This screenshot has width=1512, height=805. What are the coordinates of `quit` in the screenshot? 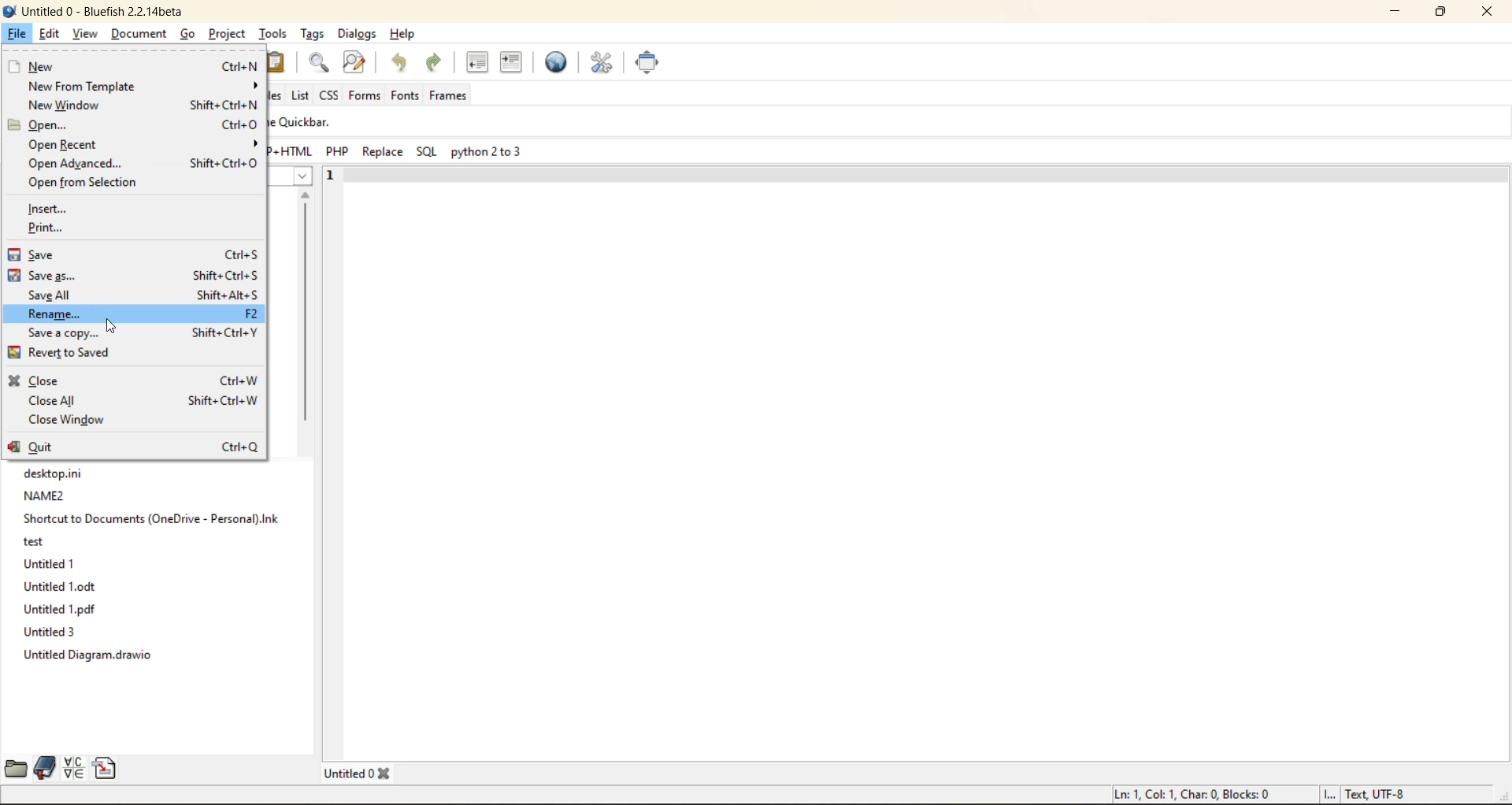 It's located at (57, 447).